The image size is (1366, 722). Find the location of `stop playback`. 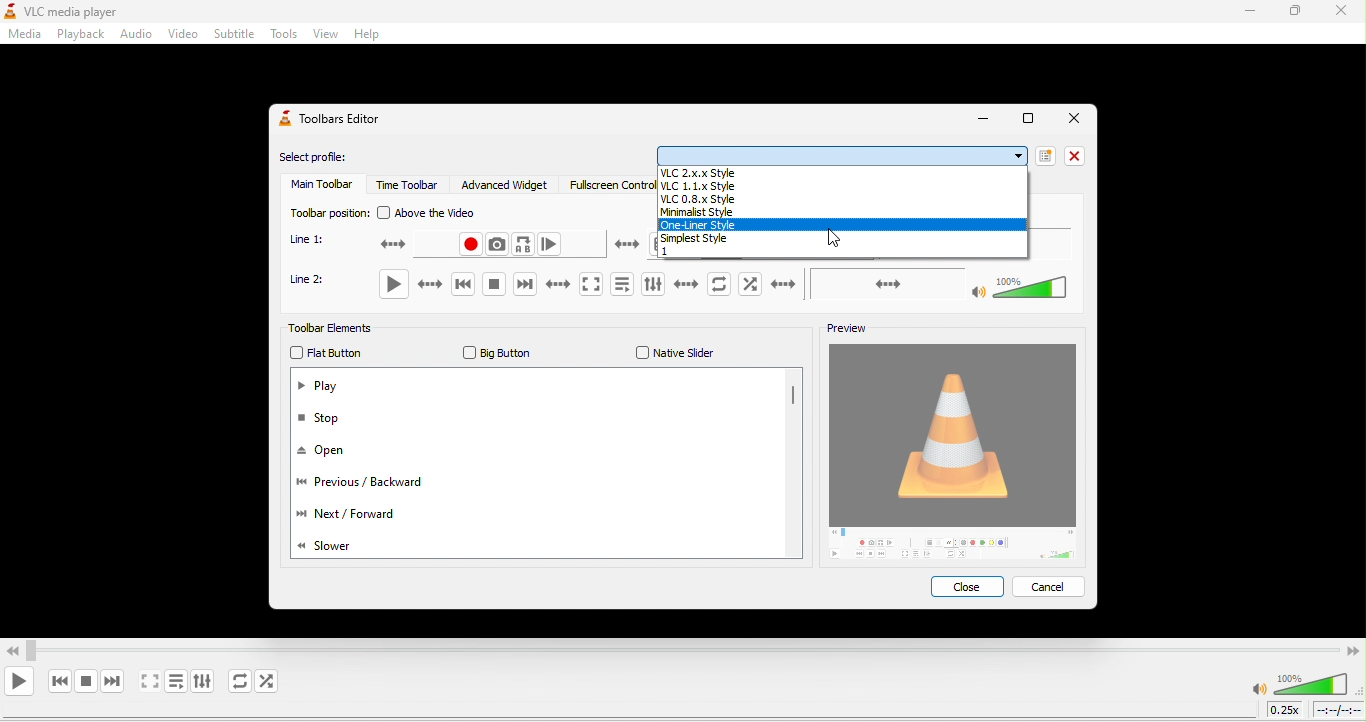

stop playback is located at coordinates (87, 680).